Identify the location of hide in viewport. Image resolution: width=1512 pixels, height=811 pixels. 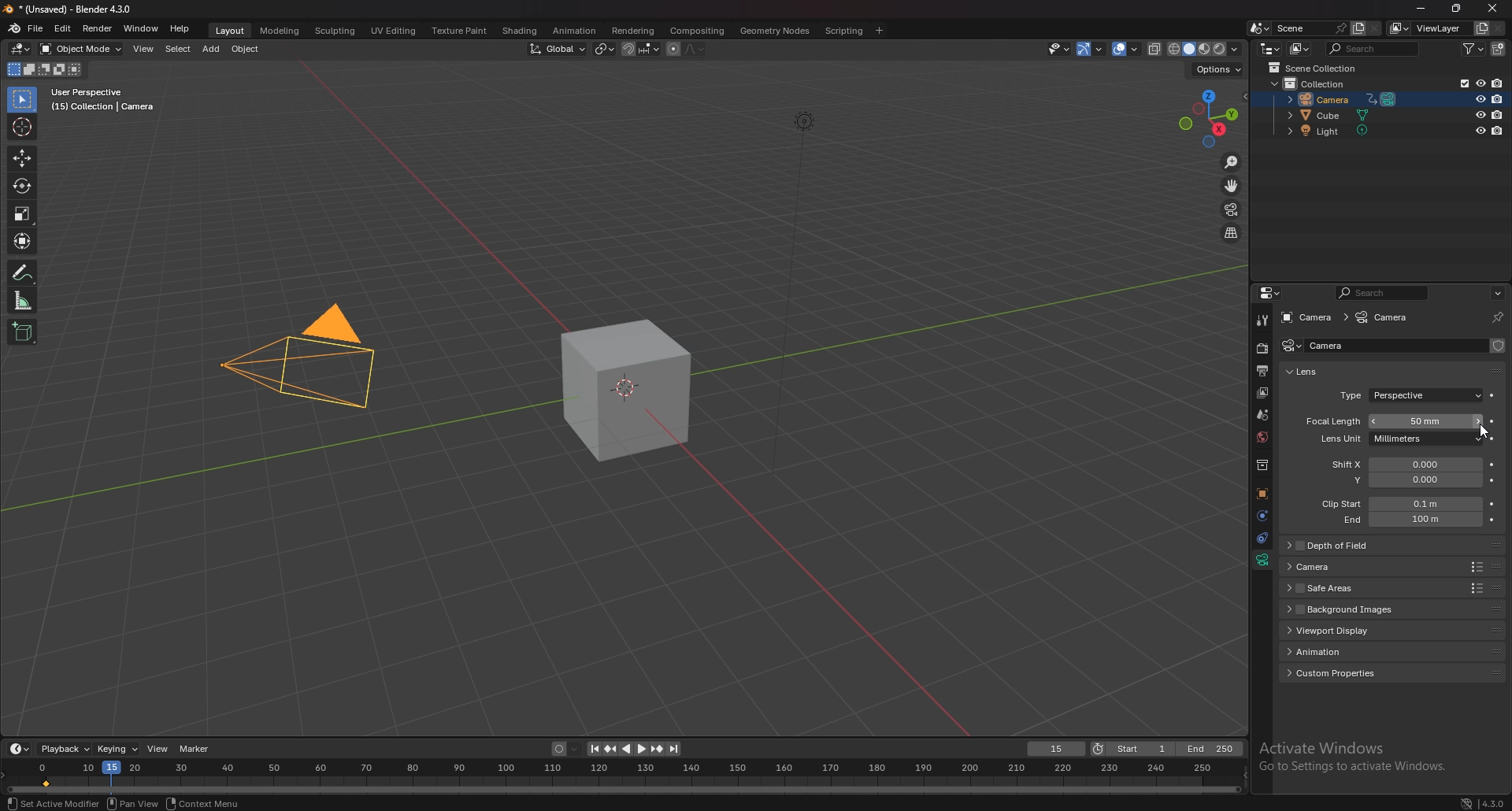
(1480, 114).